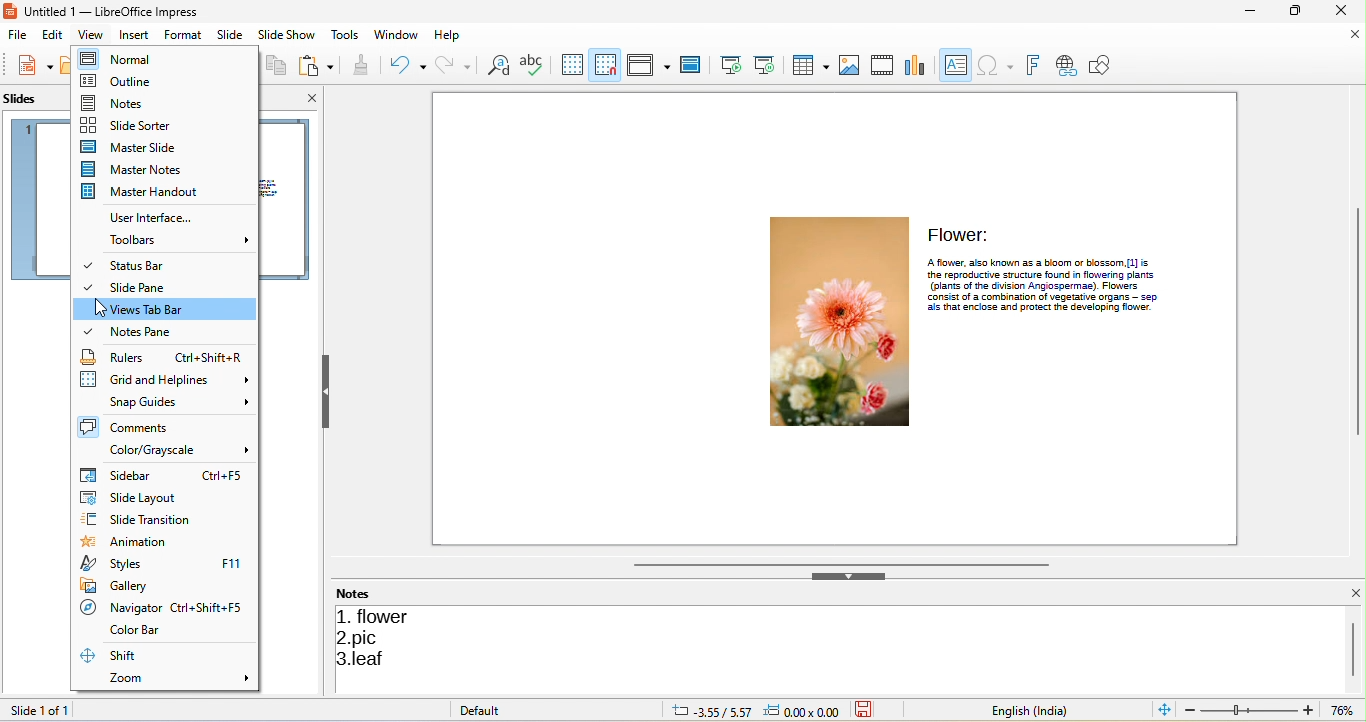  Describe the element at coordinates (1064, 65) in the screenshot. I see `hyperlink` at that location.